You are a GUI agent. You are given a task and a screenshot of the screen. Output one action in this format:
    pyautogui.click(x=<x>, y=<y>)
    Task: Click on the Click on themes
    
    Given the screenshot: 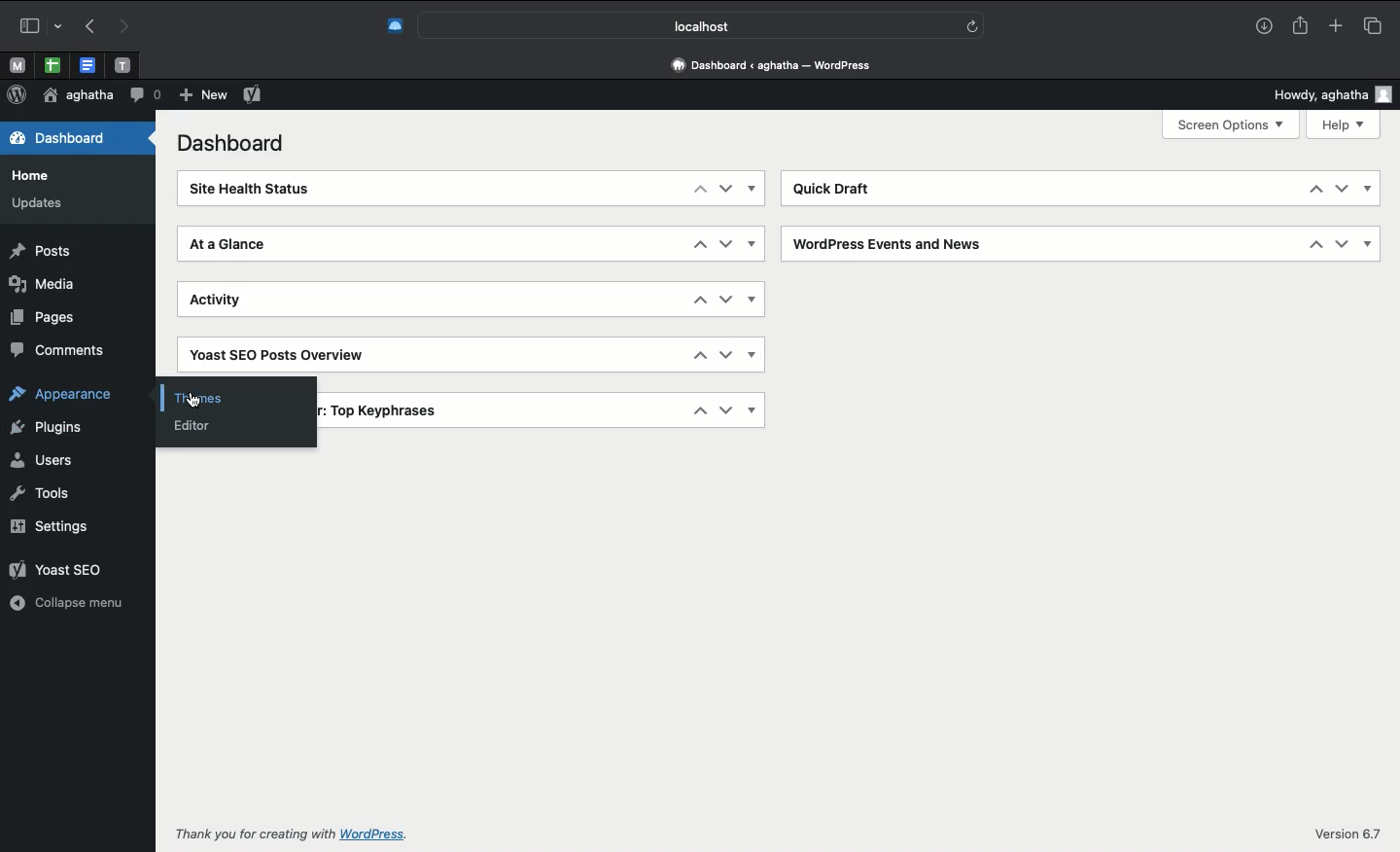 What is the action you would take?
    pyautogui.click(x=235, y=394)
    